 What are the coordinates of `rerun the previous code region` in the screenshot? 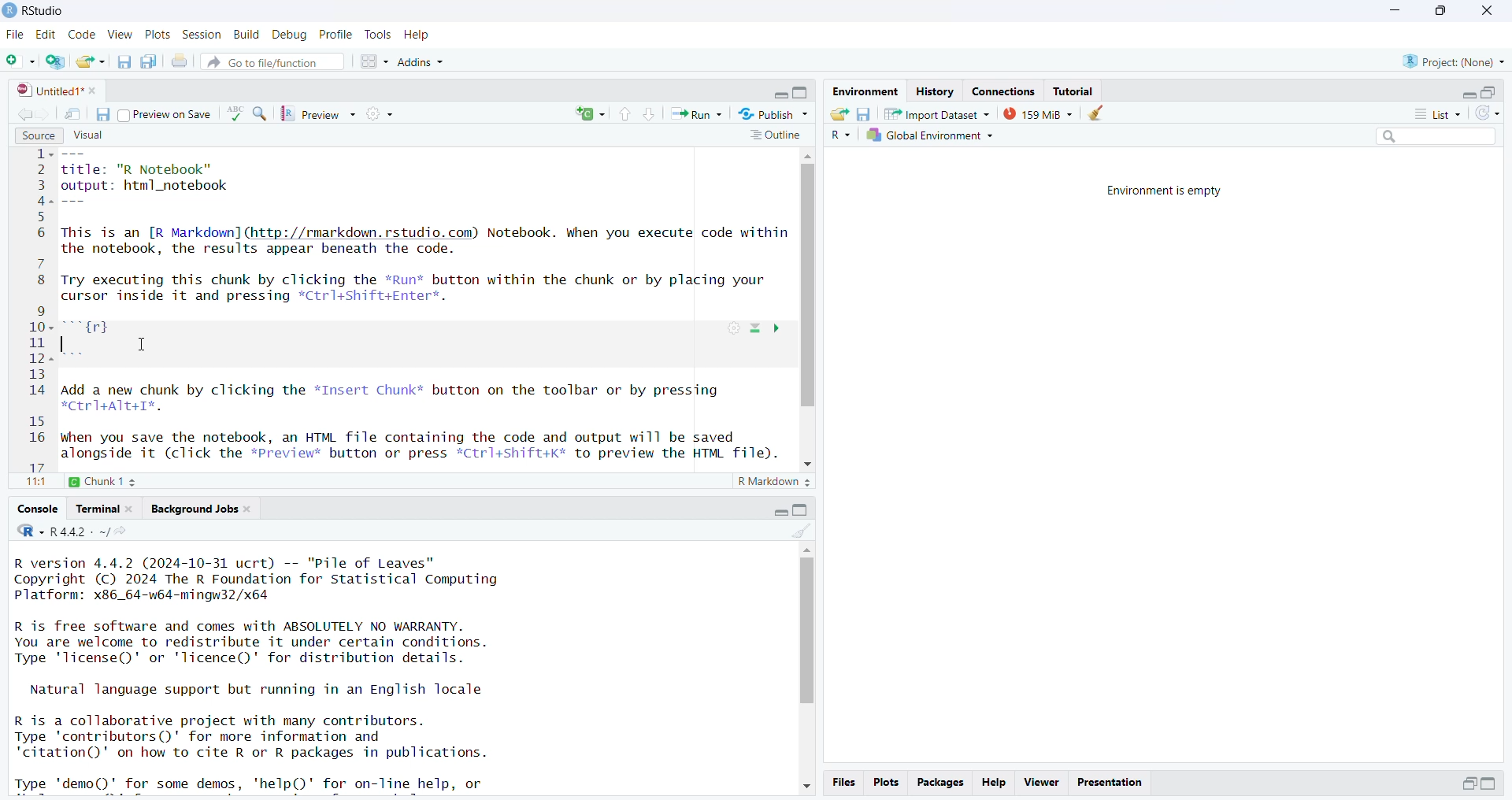 It's located at (589, 114).